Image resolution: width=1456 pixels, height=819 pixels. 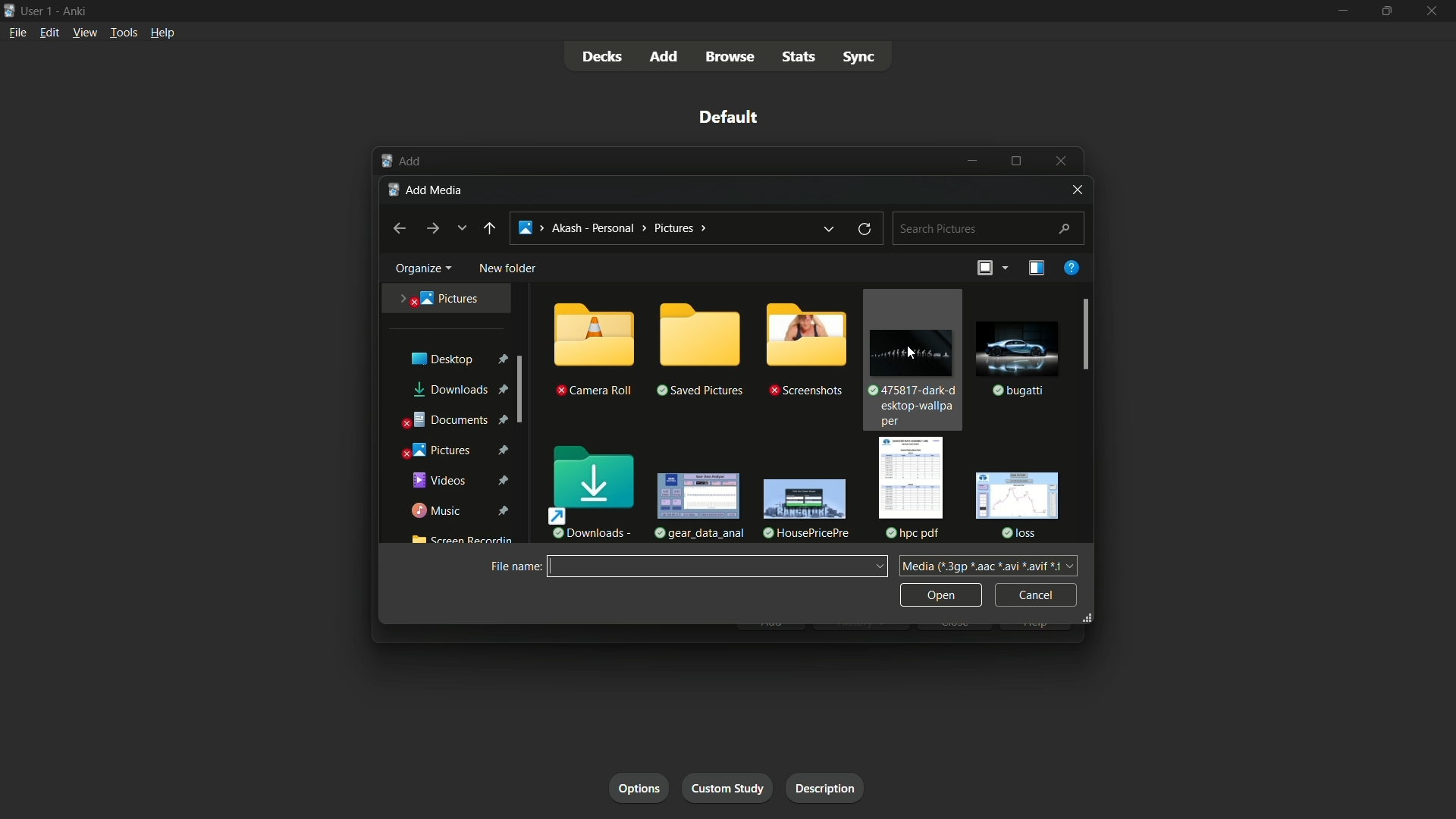 I want to click on pictures, so click(x=458, y=449).